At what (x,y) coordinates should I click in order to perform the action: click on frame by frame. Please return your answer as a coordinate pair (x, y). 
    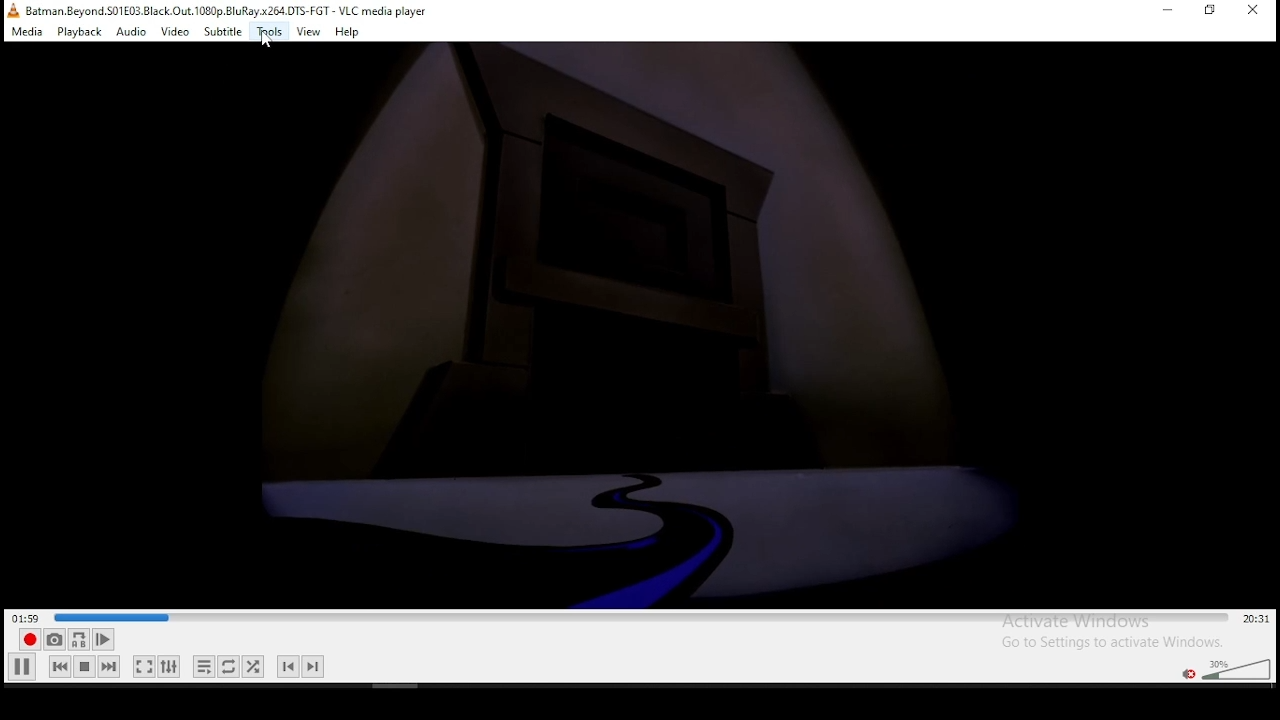
    Looking at the image, I should click on (100, 640).